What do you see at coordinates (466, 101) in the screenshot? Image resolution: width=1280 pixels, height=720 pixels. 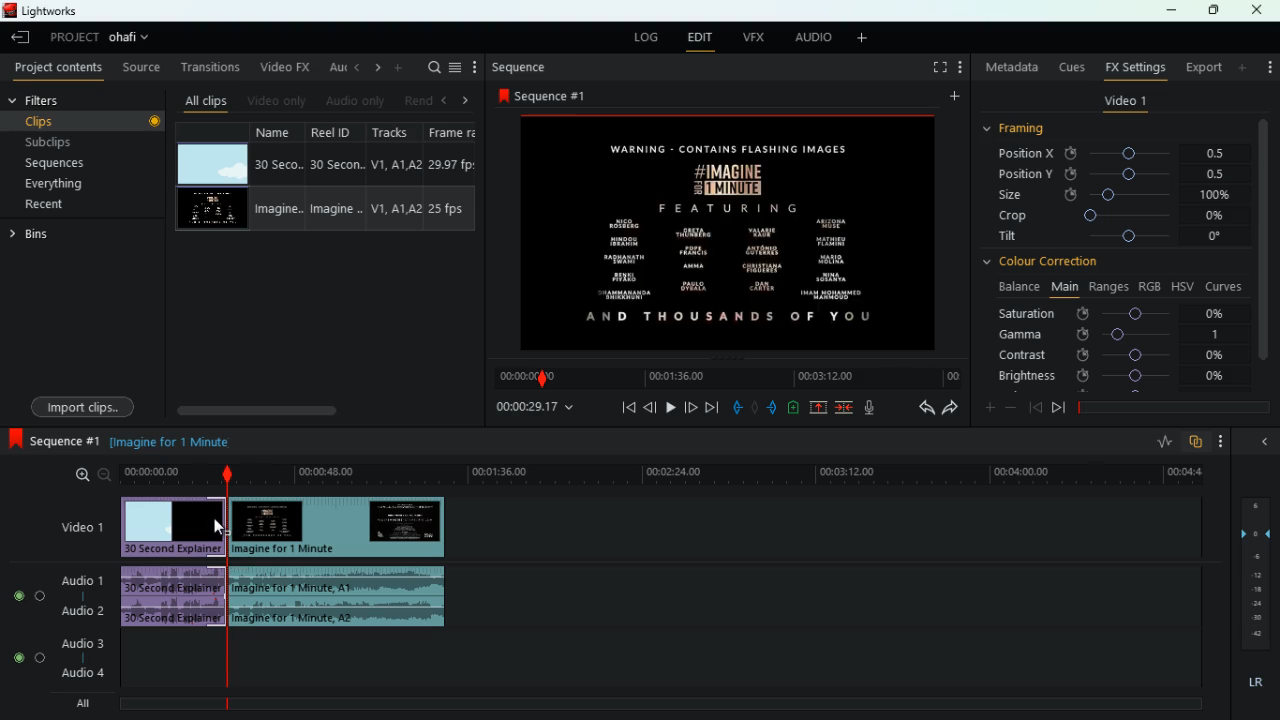 I see `right` at bounding box center [466, 101].